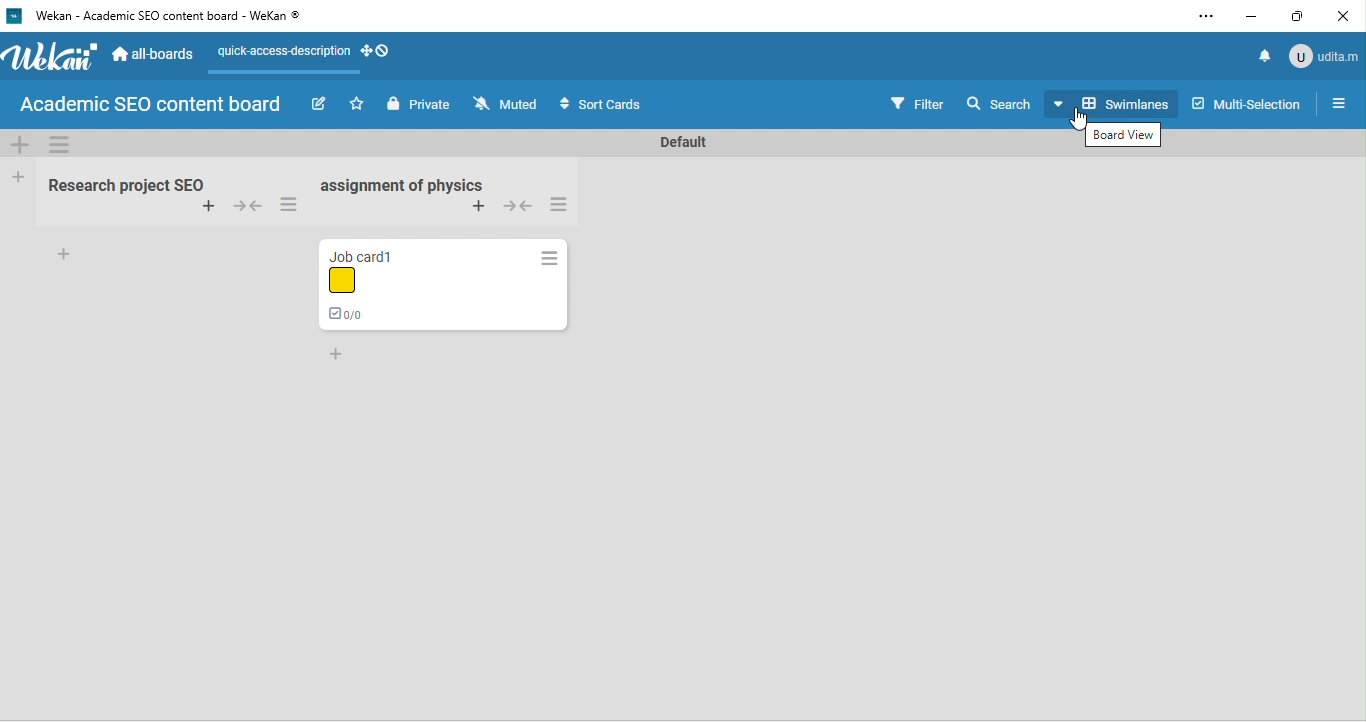 The width and height of the screenshot is (1366, 722). What do you see at coordinates (1125, 135) in the screenshot?
I see `board view` at bounding box center [1125, 135].